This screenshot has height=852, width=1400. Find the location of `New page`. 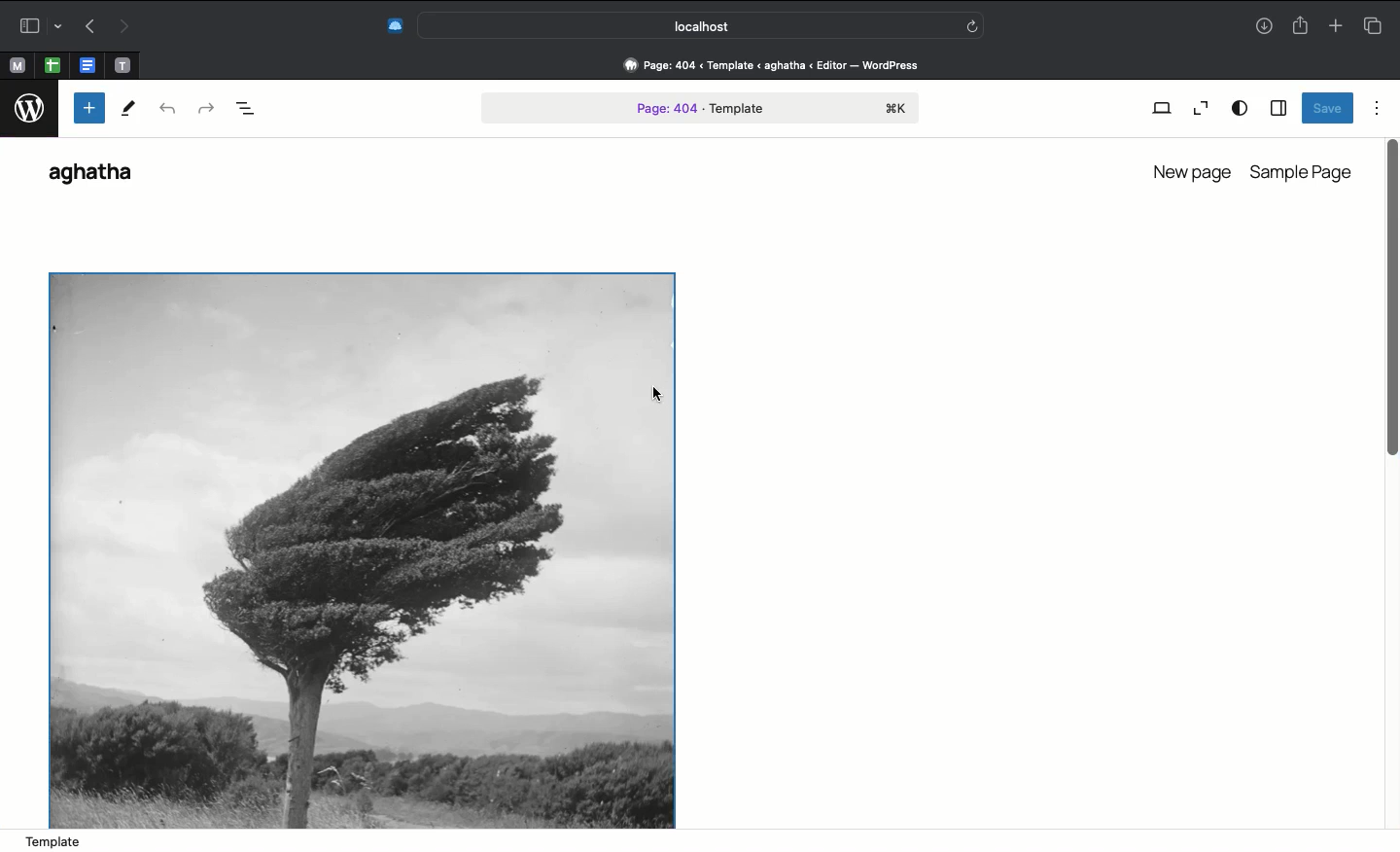

New page is located at coordinates (1189, 169).